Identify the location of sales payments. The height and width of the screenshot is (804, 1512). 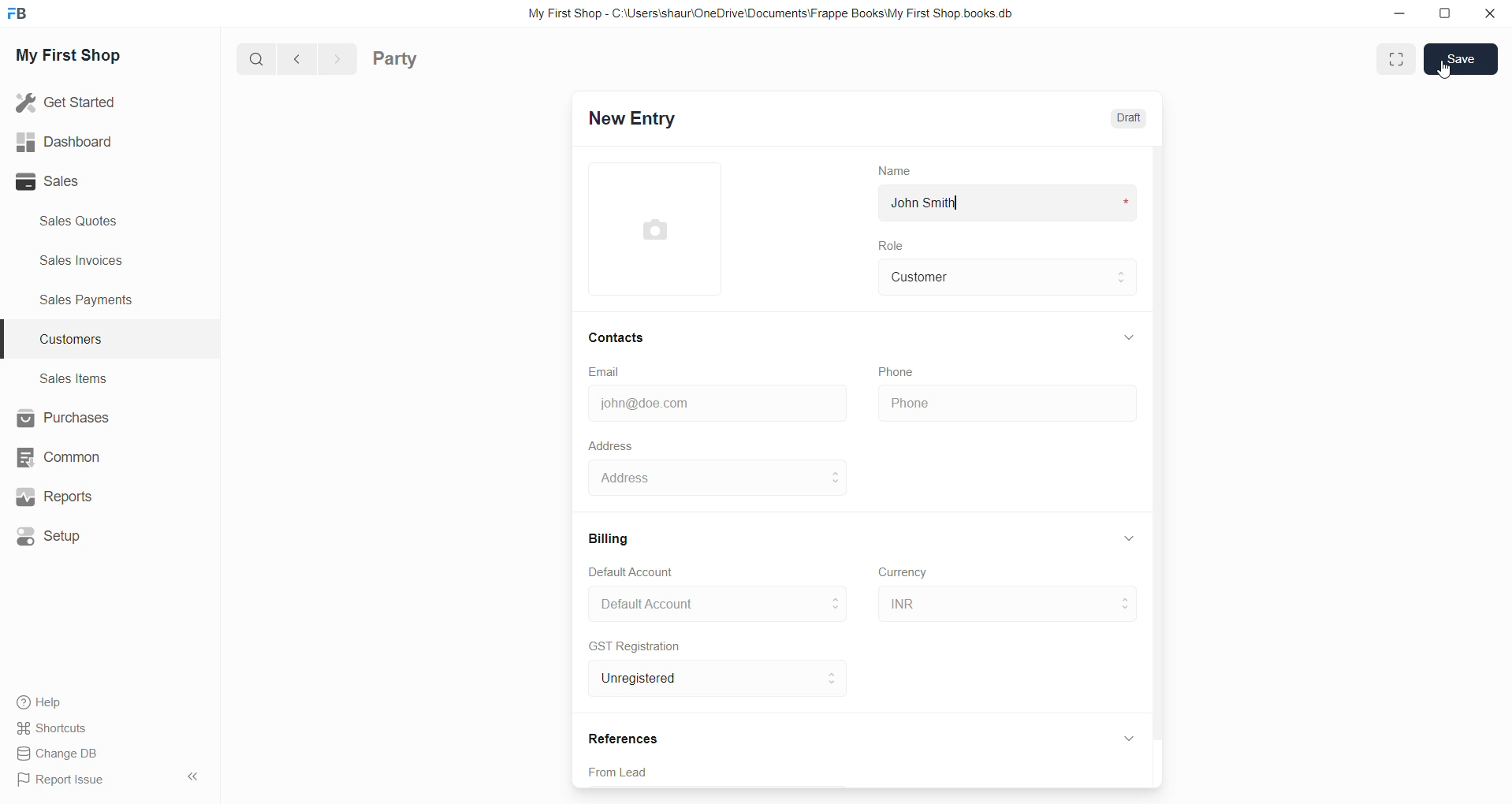
(94, 303).